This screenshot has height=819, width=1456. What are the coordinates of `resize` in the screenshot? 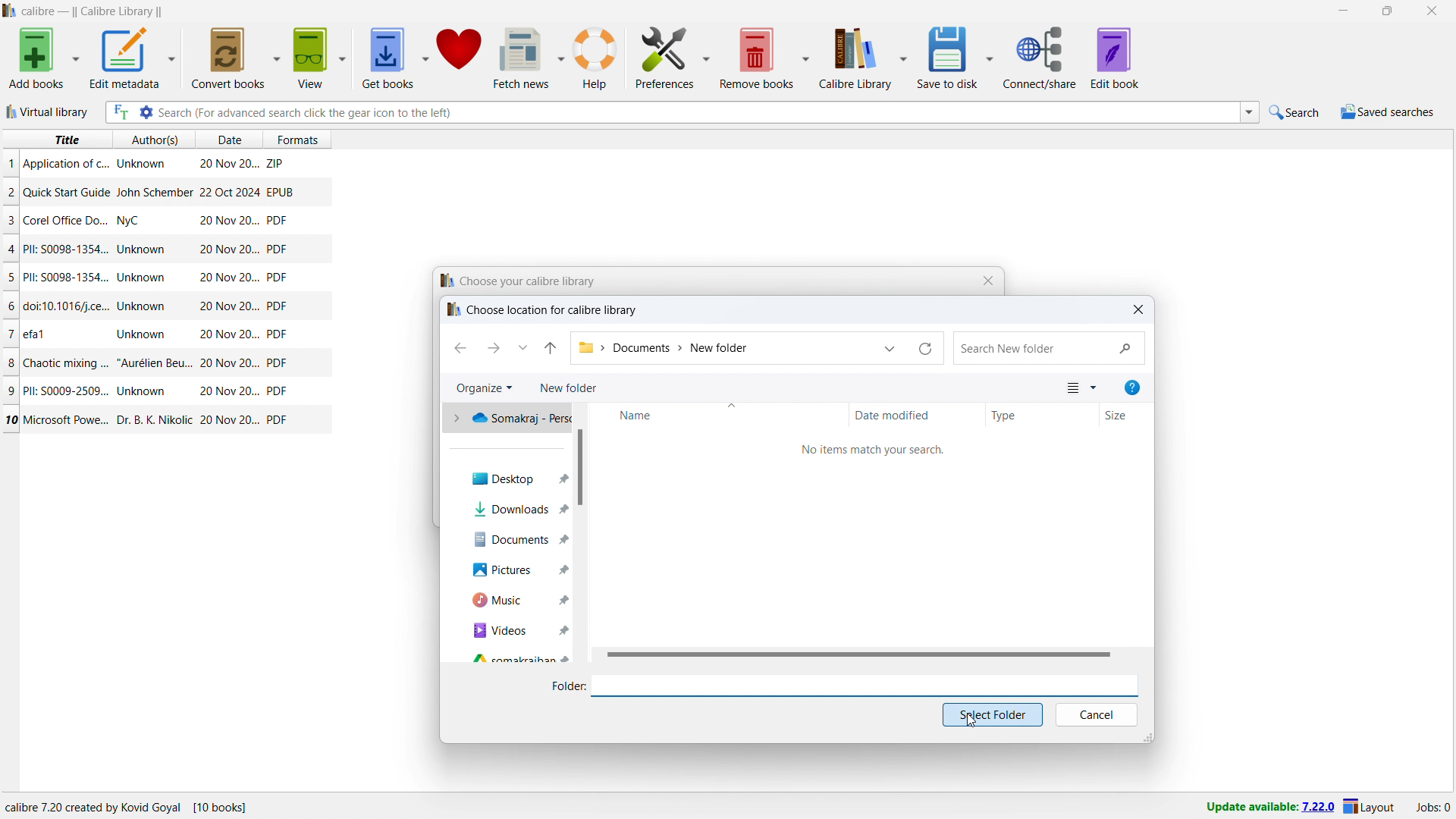 It's located at (1149, 737).